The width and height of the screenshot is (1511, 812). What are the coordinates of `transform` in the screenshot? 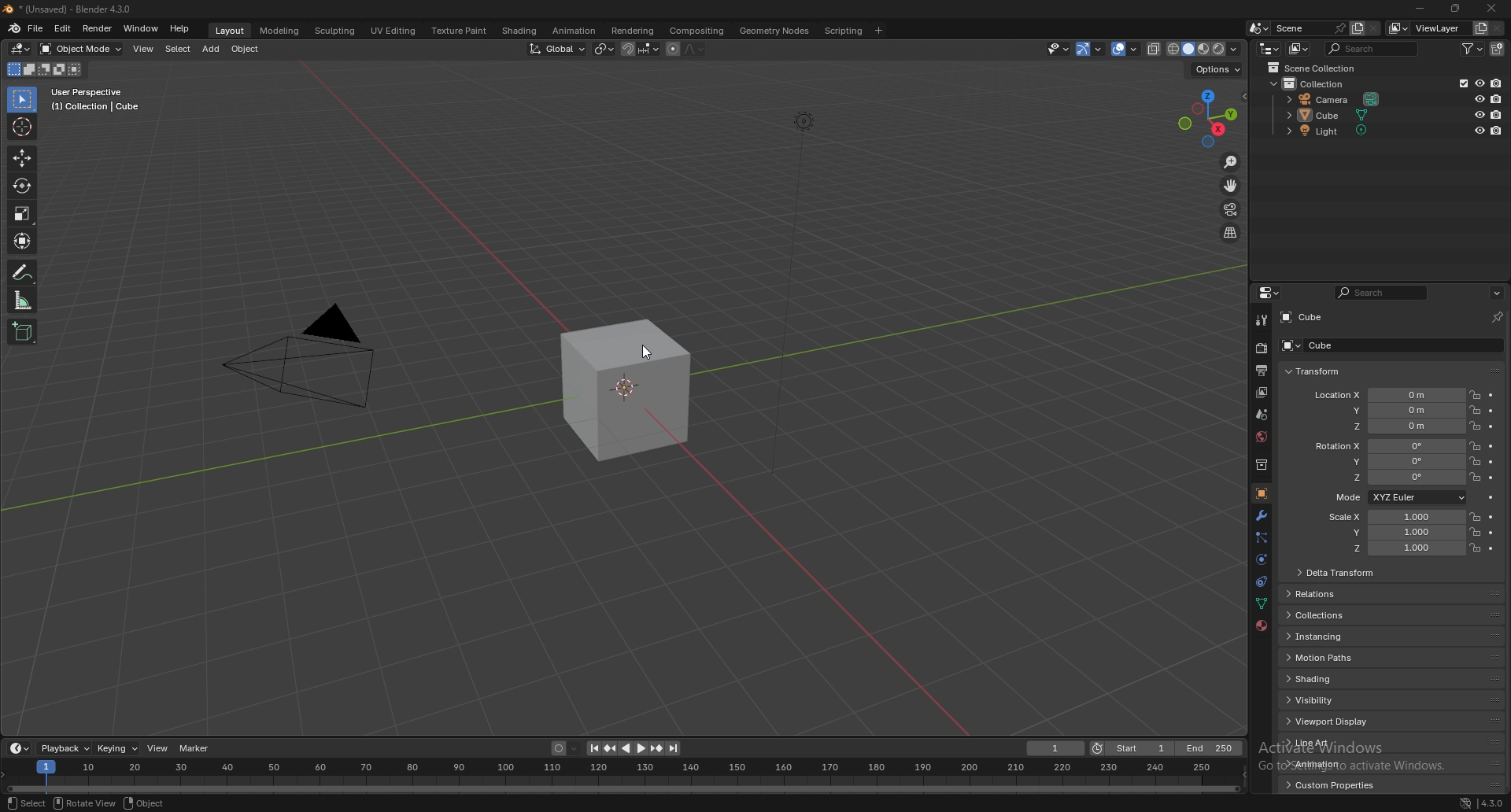 It's located at (24, 241).